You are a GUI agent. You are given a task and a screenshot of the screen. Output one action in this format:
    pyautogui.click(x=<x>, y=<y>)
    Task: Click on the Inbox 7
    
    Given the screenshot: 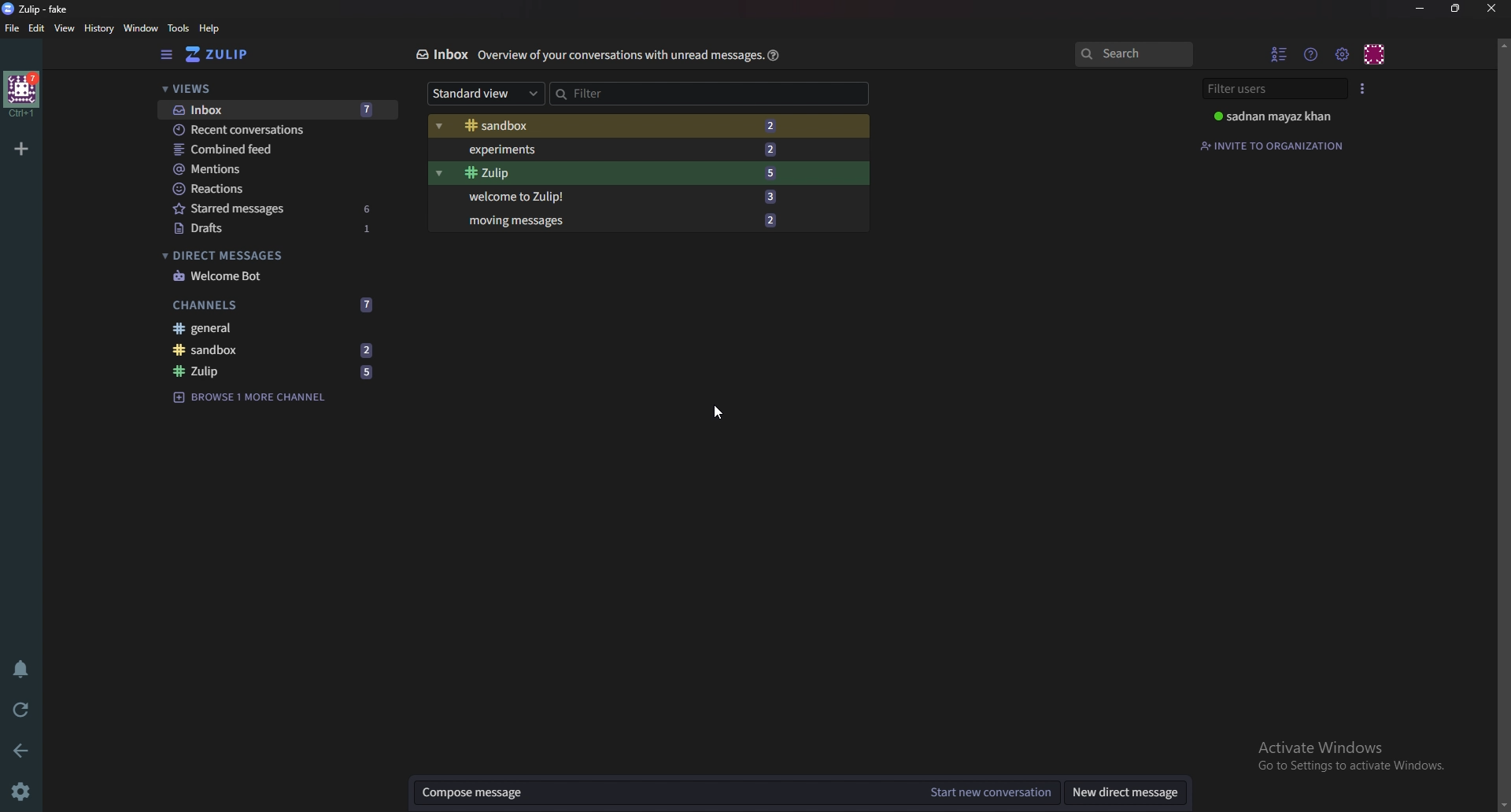 What is the action you would take?
    pyautogui.click(x=273, y=110)
    